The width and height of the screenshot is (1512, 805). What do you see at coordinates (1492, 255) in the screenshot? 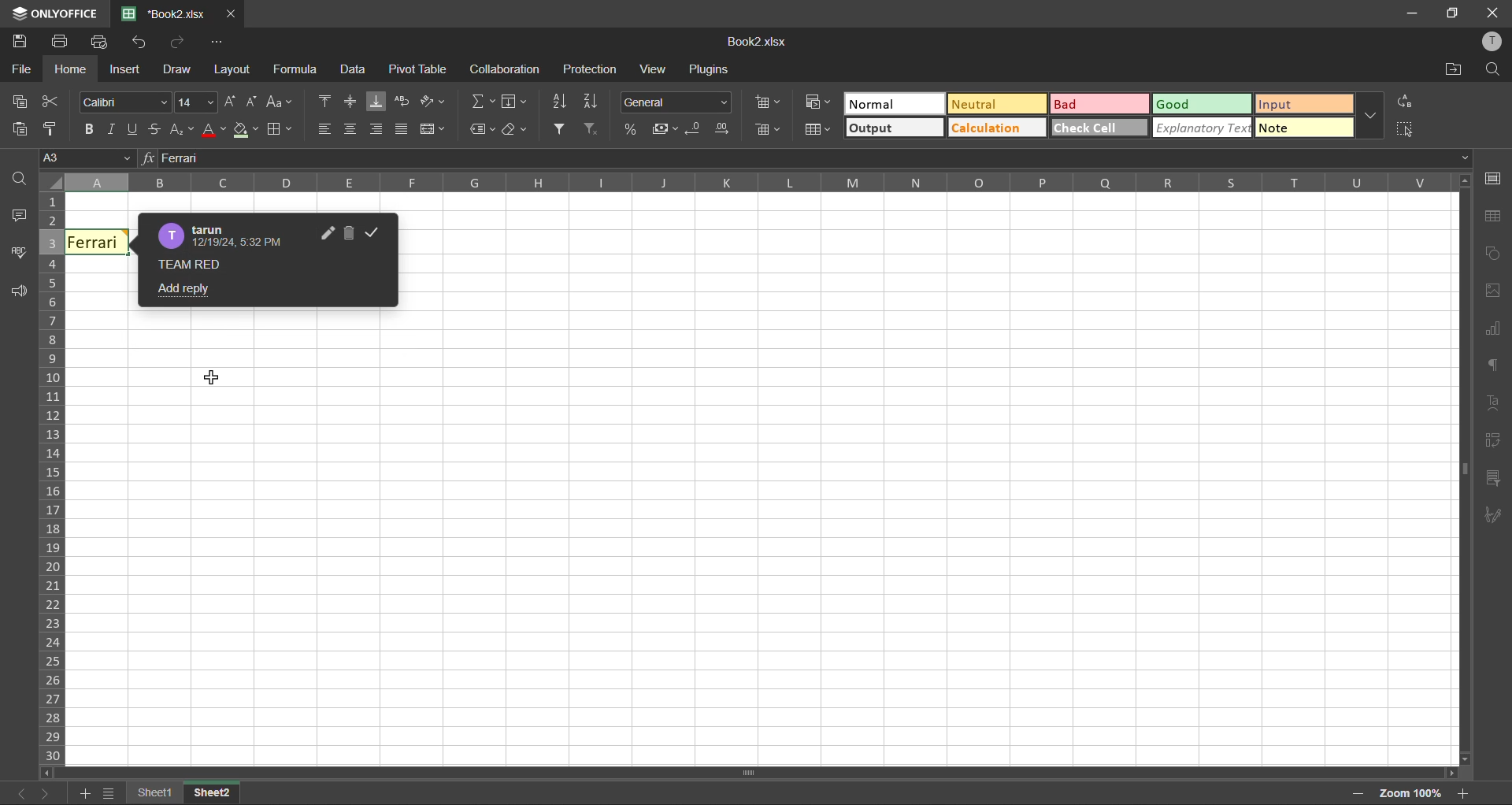
I see `shapes` at bounding box center [1492, 255].